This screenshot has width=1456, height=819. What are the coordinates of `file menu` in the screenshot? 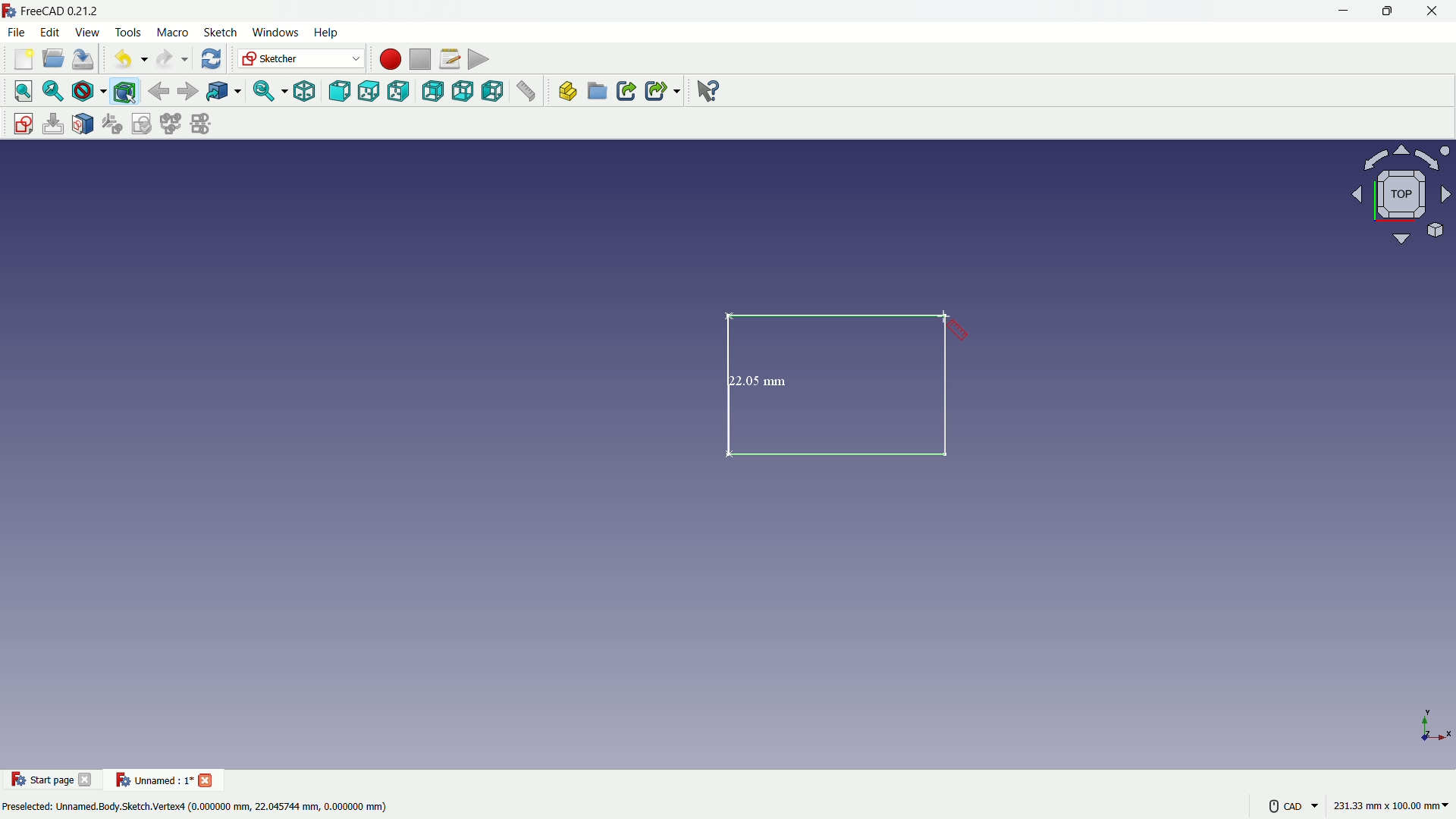 It's located at (18, 33).